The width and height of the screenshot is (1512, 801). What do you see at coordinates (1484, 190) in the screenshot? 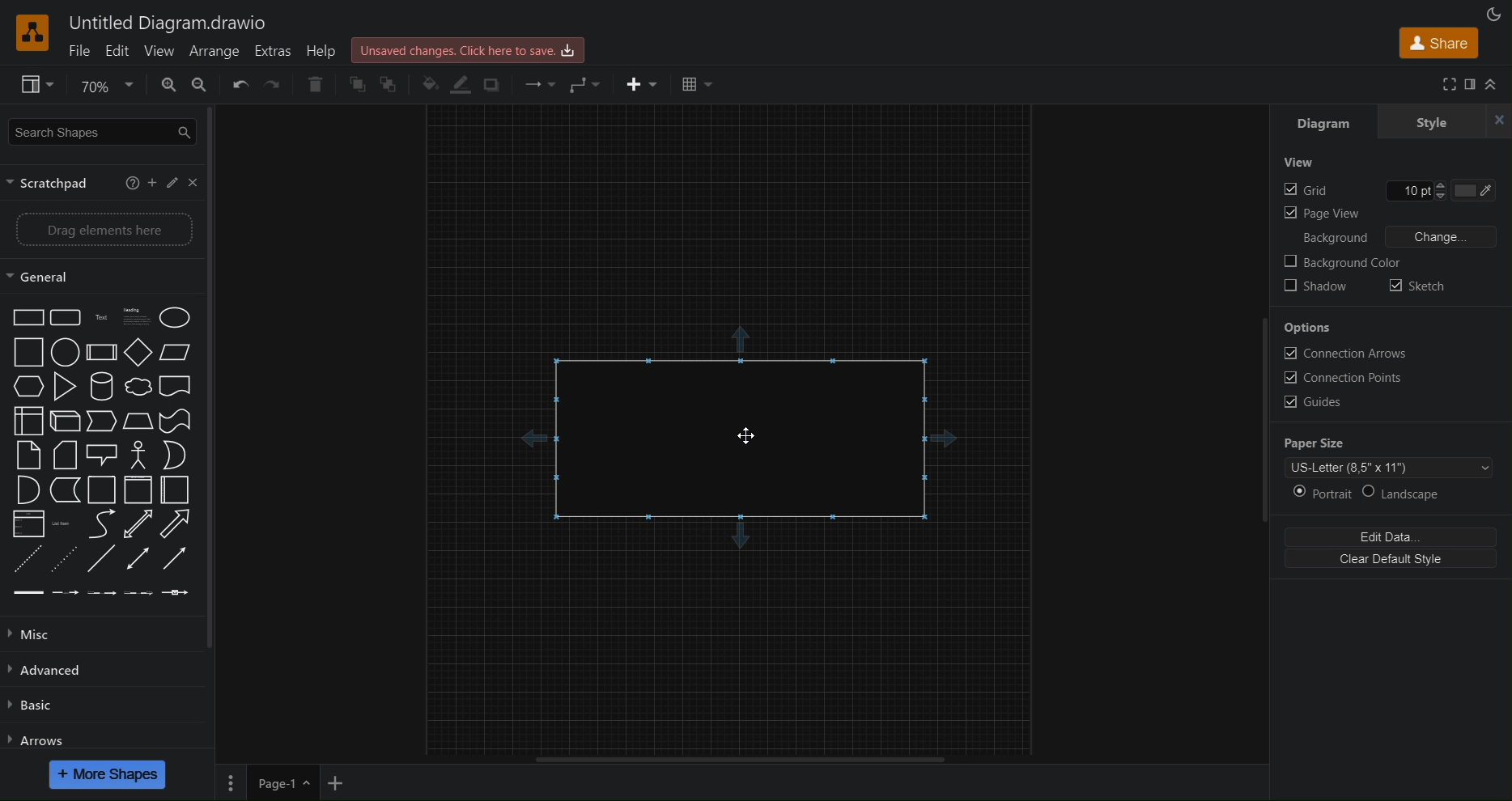
I see `Grid Color` at bounding box center [1484, 190].